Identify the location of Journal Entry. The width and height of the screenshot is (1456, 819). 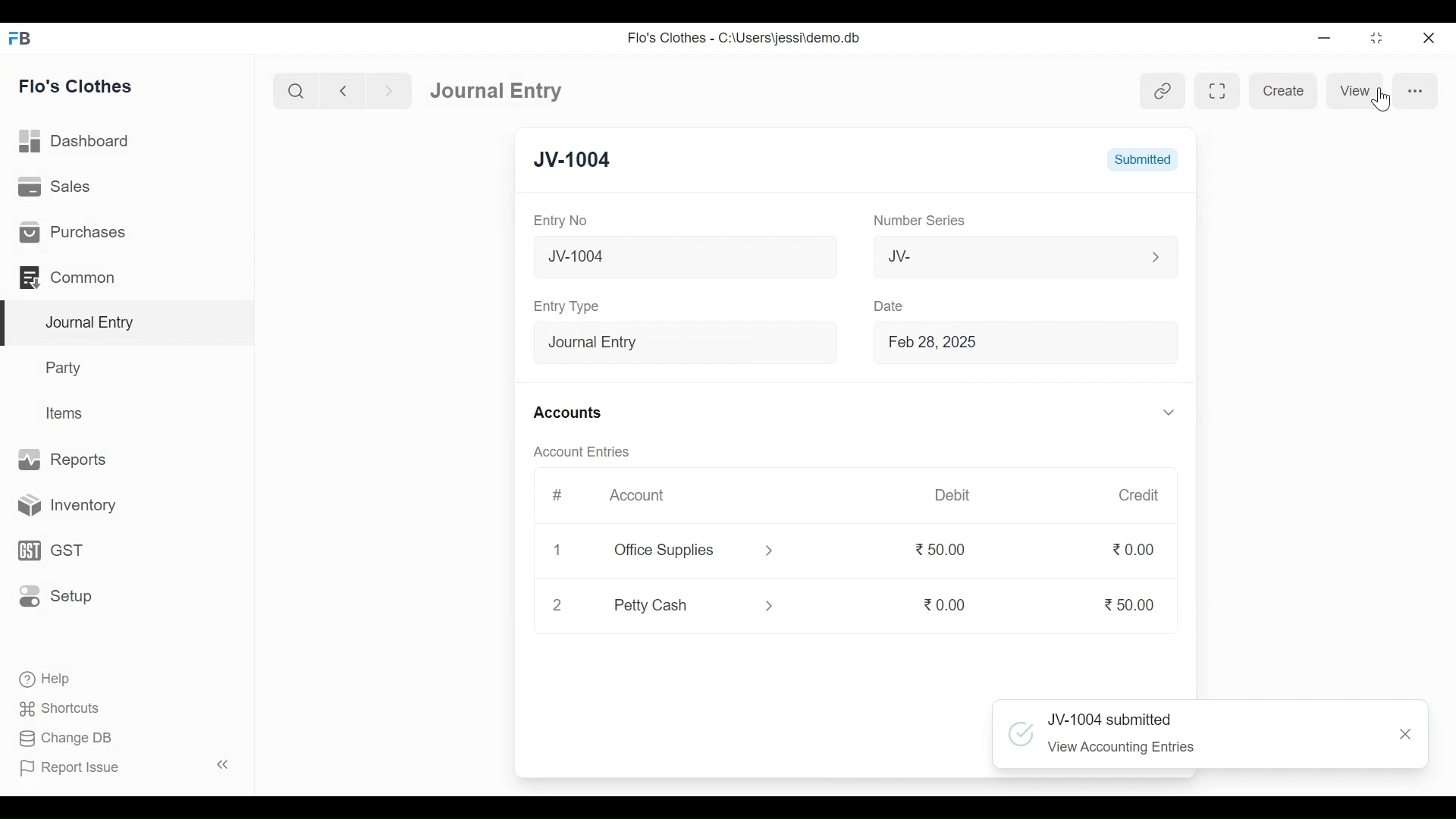
(129, 324).